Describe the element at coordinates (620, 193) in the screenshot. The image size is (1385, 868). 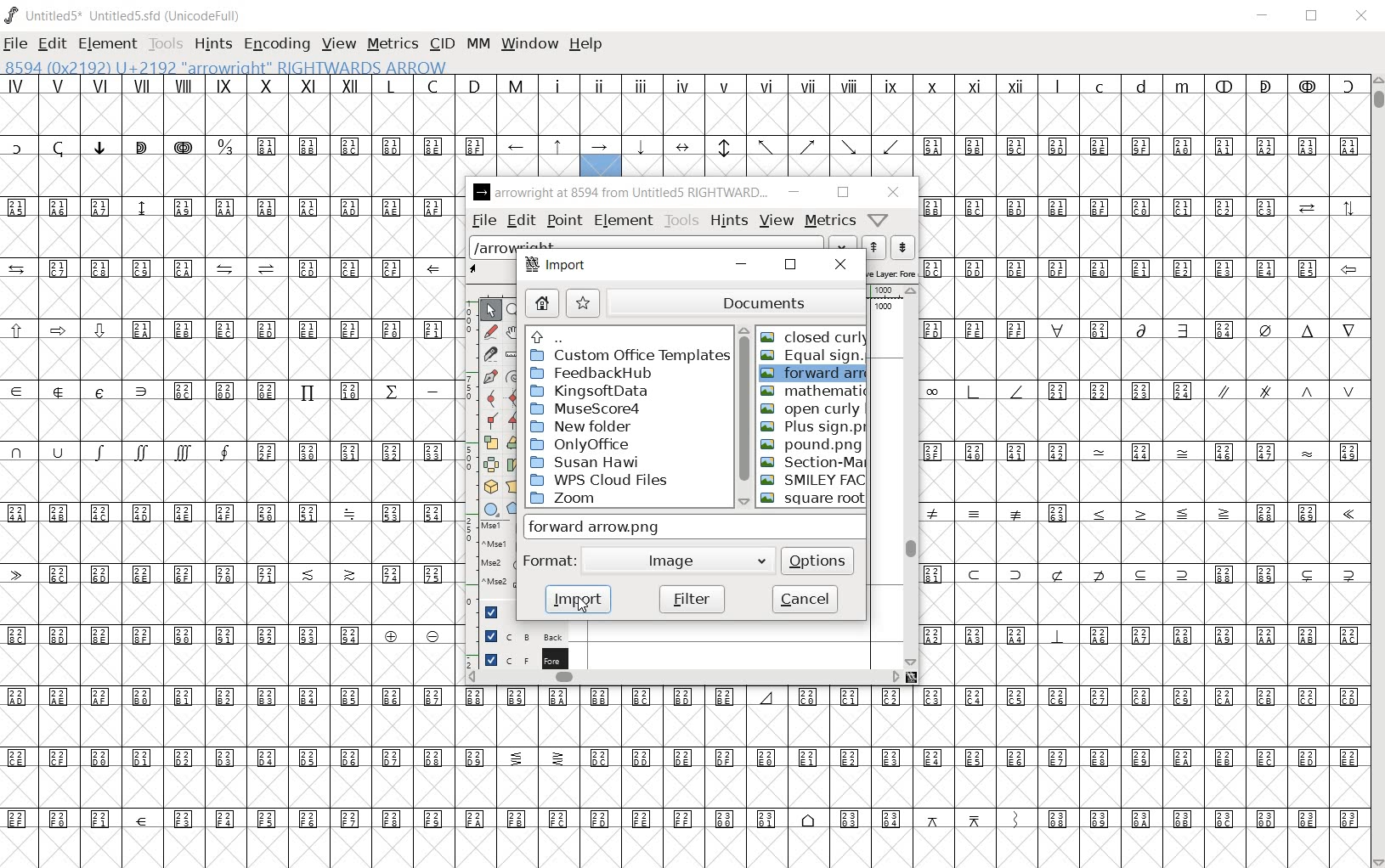
I see `arrowright at 8594 from Untitled5.RIGHTWARD...` at that location.